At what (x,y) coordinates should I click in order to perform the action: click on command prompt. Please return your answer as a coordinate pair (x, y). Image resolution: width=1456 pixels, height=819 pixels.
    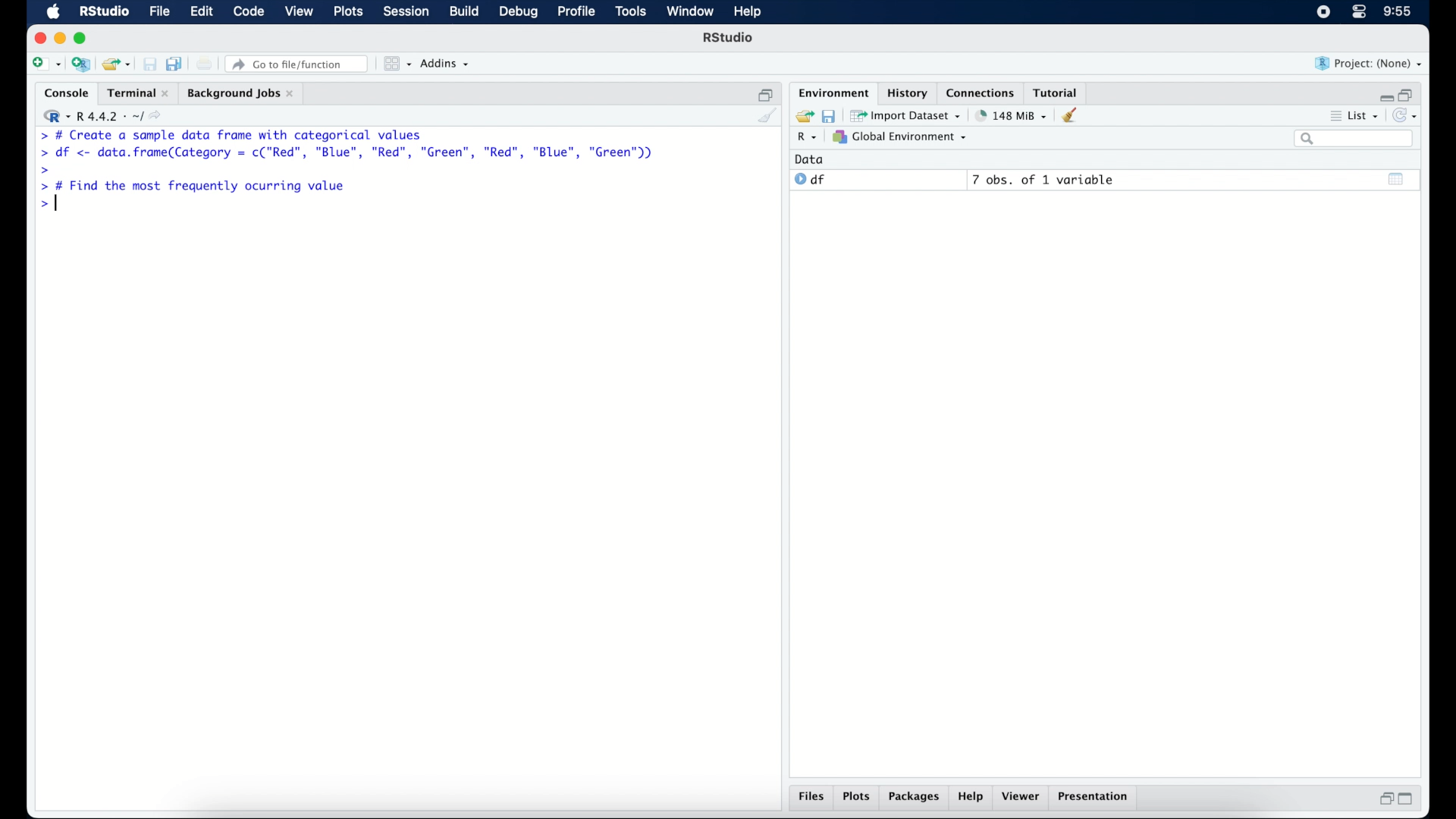
    Looking at the image, I should click on (45, 169).